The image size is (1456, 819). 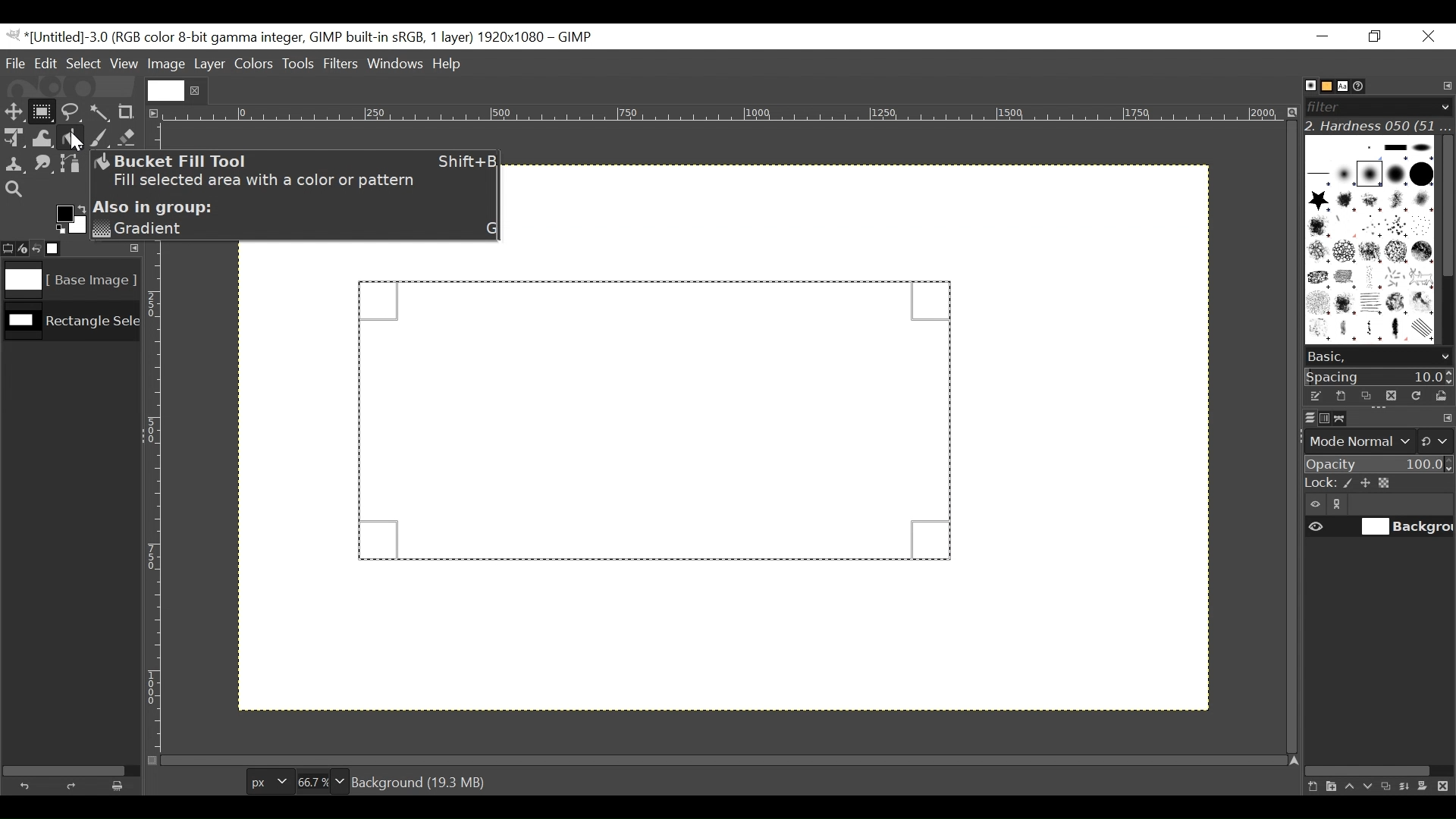 What do you see at coordinates (1377, 105) in the screenshot?
I see `Filter bar` at bounding box center [1377, 105].